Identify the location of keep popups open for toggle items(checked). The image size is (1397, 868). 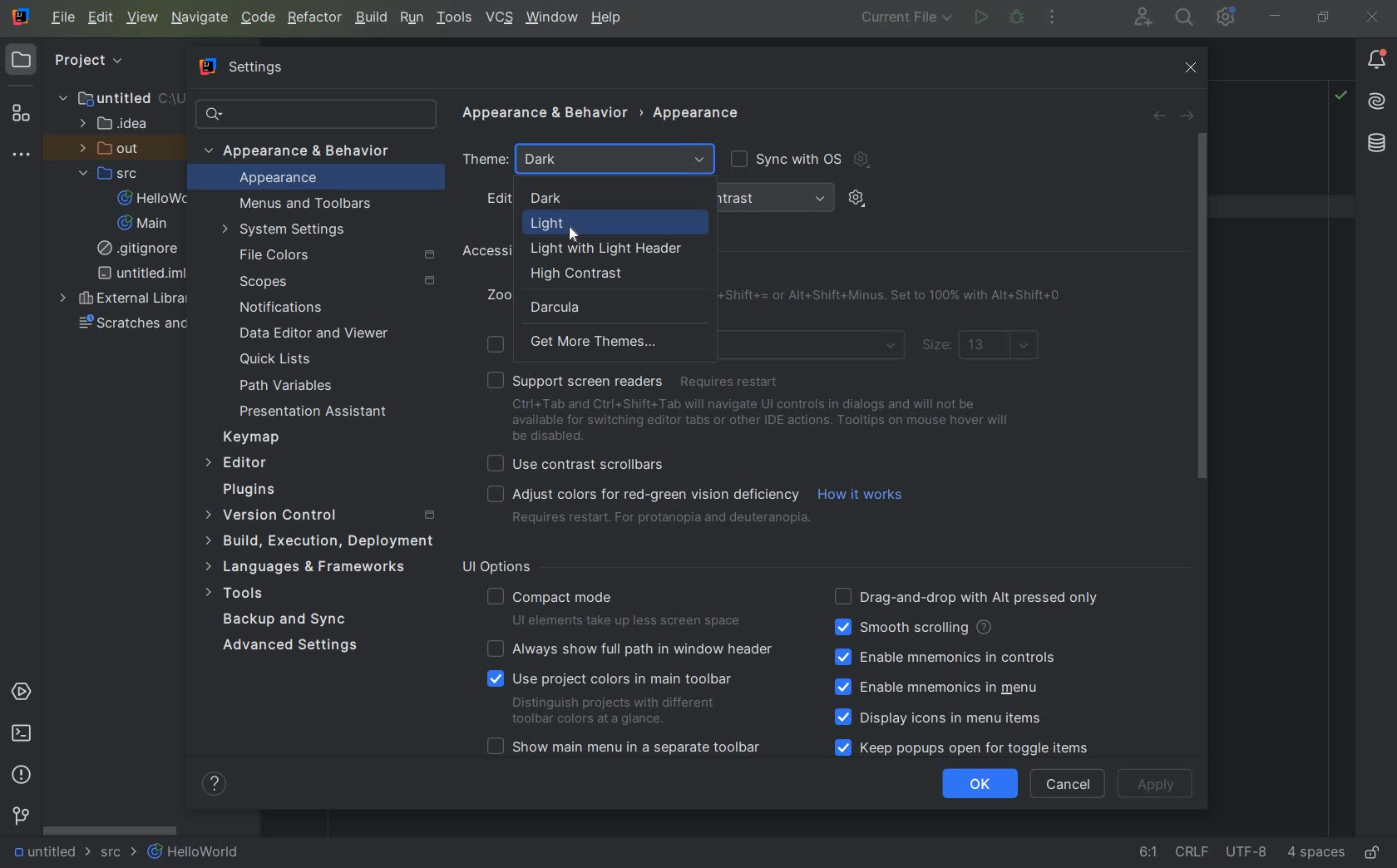
(966, 747).